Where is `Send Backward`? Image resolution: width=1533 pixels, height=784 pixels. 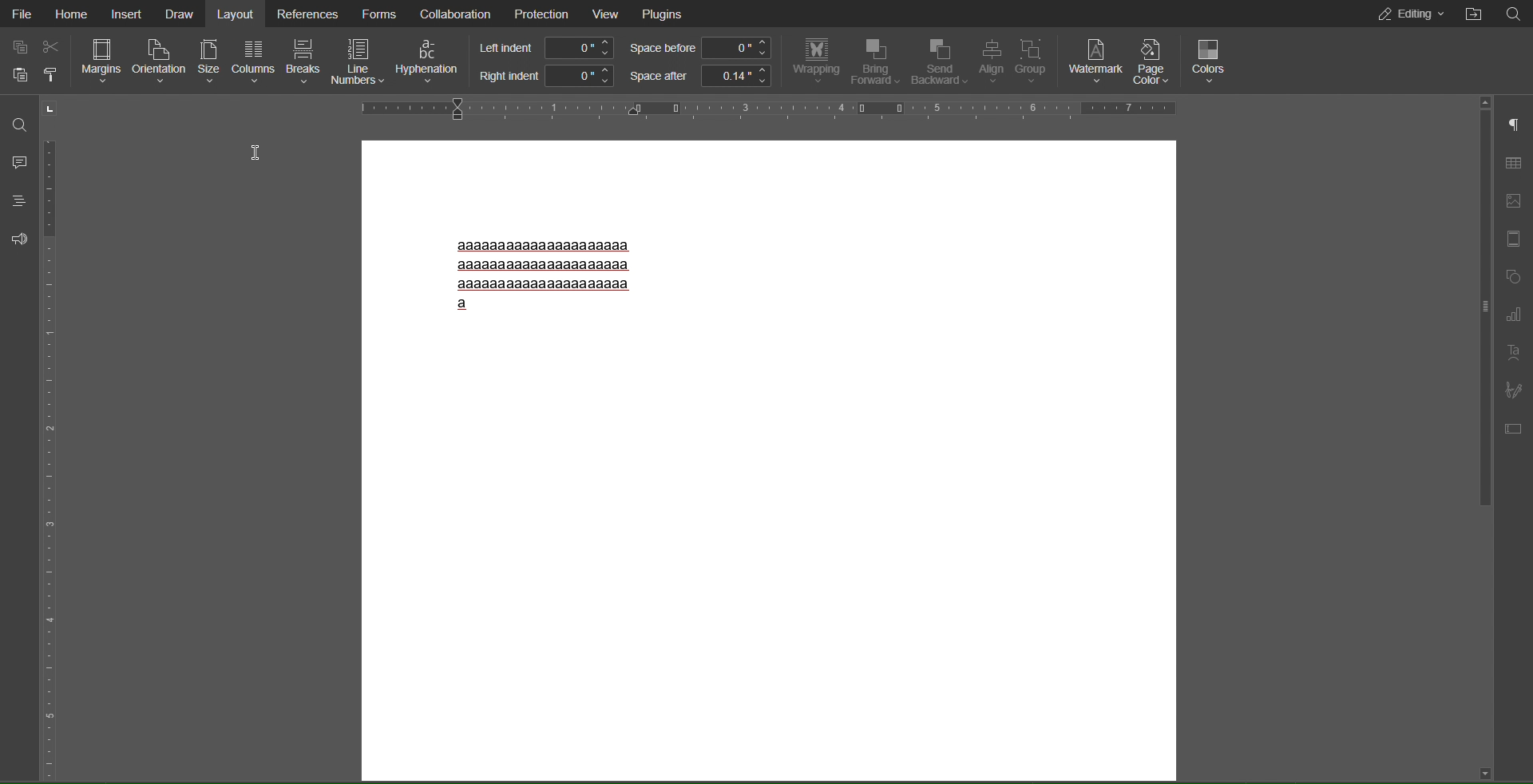 Send Backward is located at coordinates (941, 62).